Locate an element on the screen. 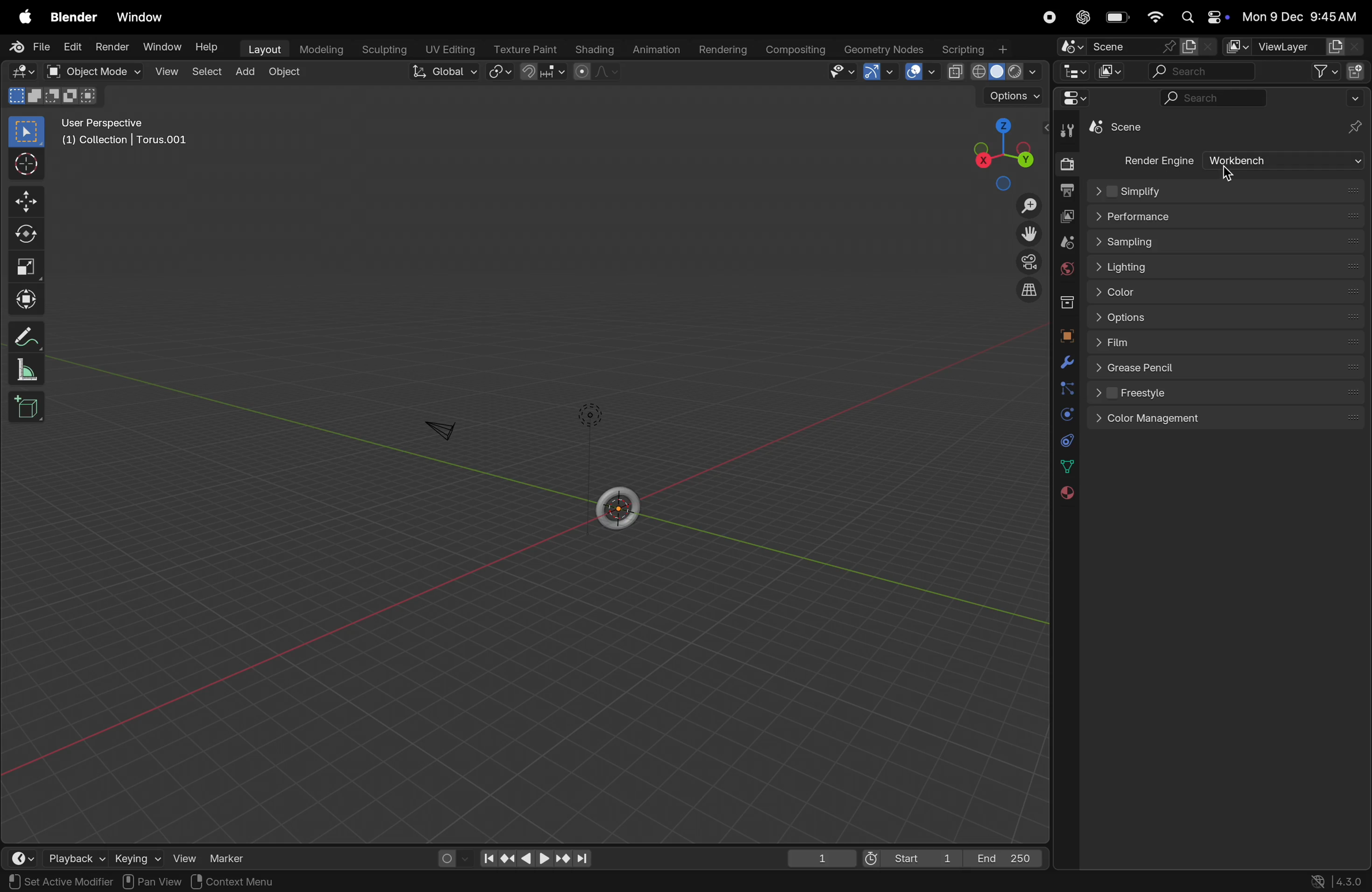 The image size is (1372, 892). physics is located at coordinates (1064, 415).